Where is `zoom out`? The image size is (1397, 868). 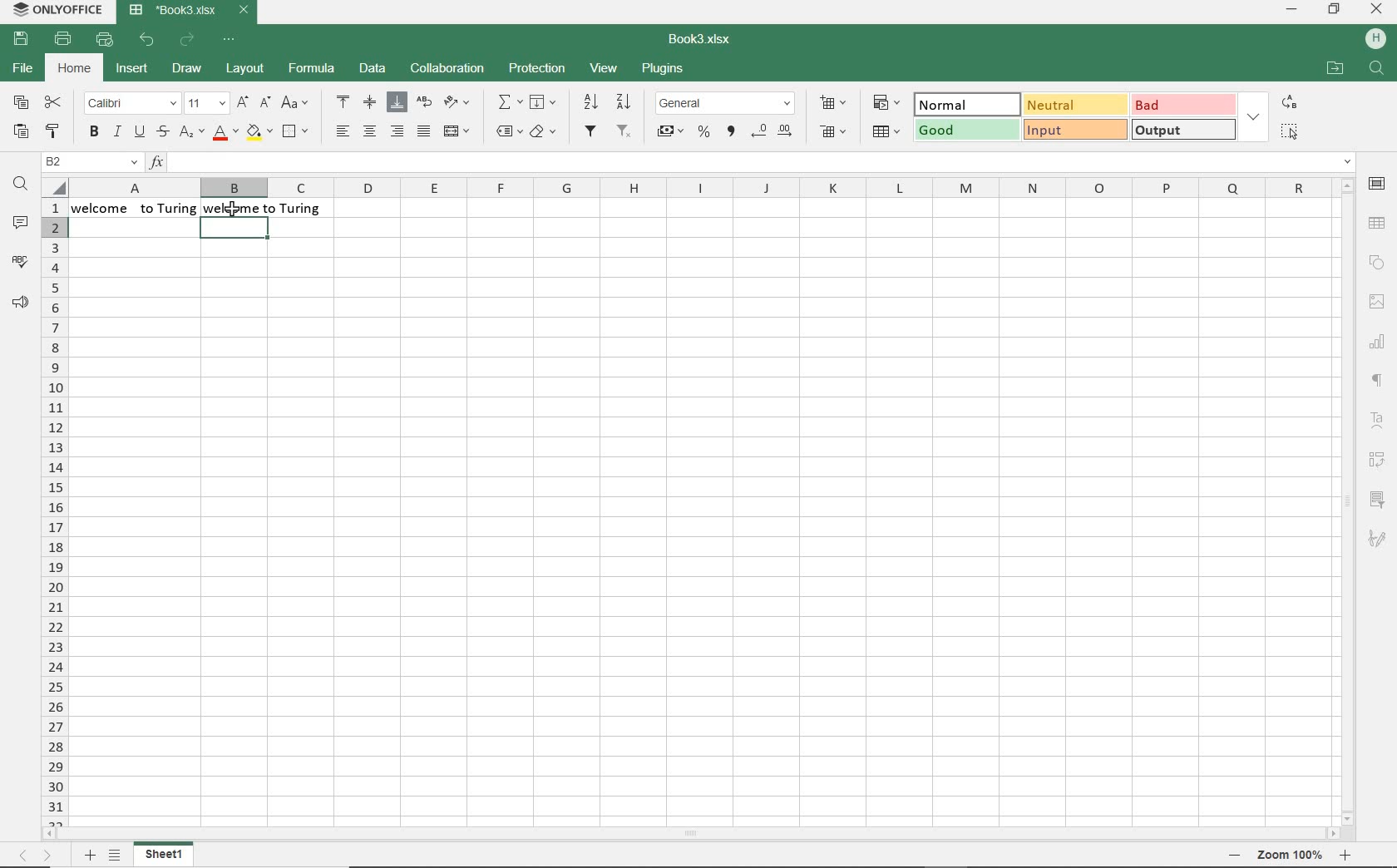 zoom out is located at coordinates (1288, 855).